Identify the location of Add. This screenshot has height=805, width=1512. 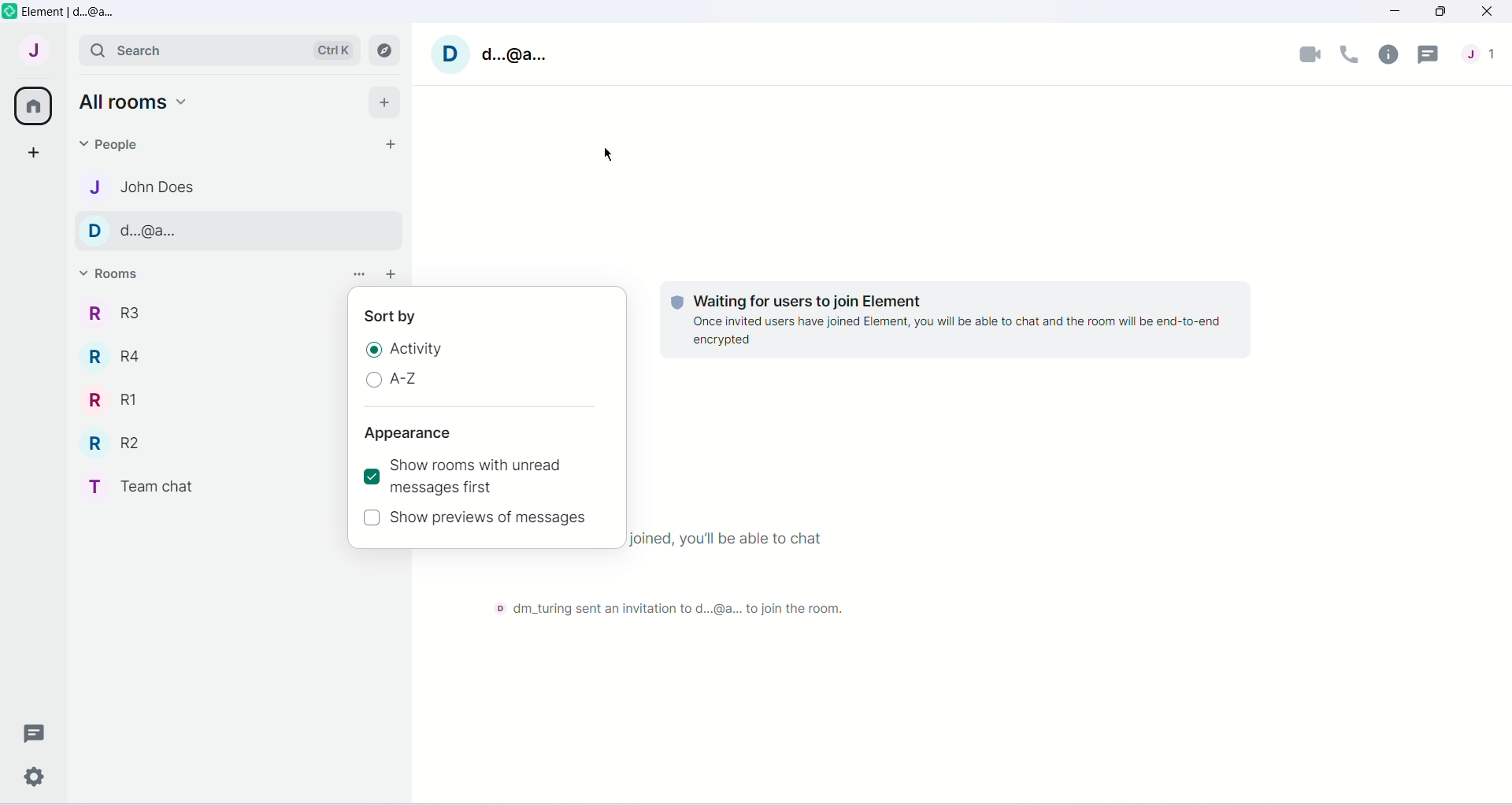
(384, 102).